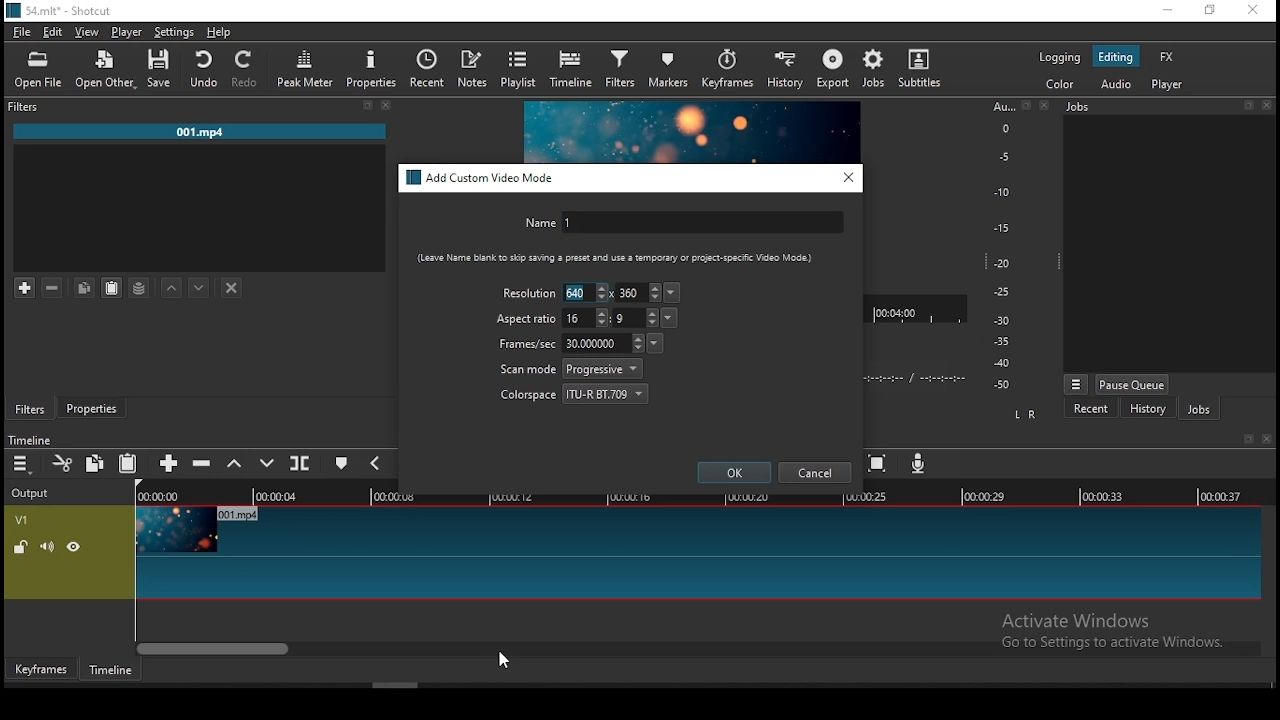  I want to click on aspect ration presets, so click(671, 318).